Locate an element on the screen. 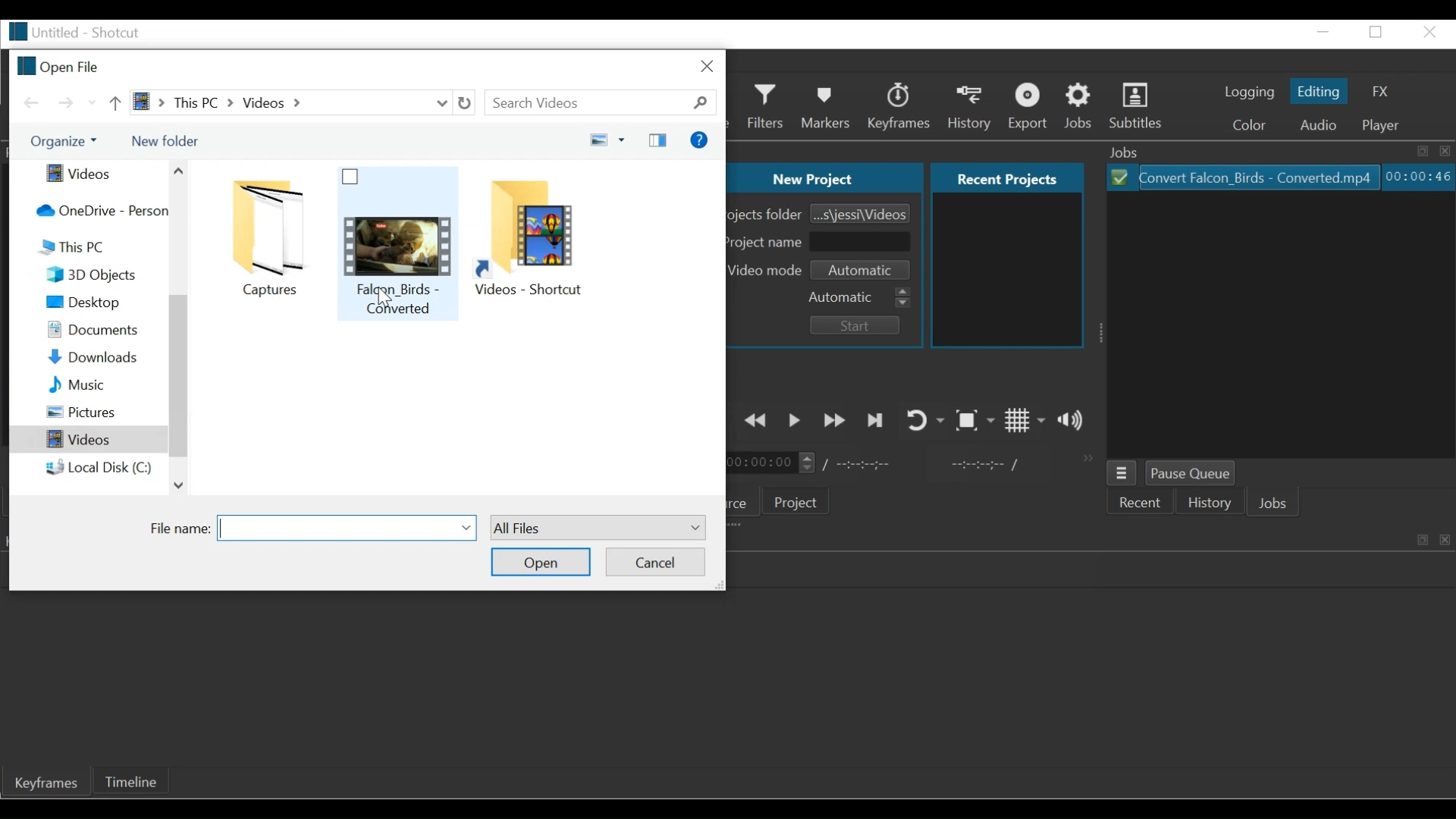  Show the previous pane is located at coordinates (657, 140).